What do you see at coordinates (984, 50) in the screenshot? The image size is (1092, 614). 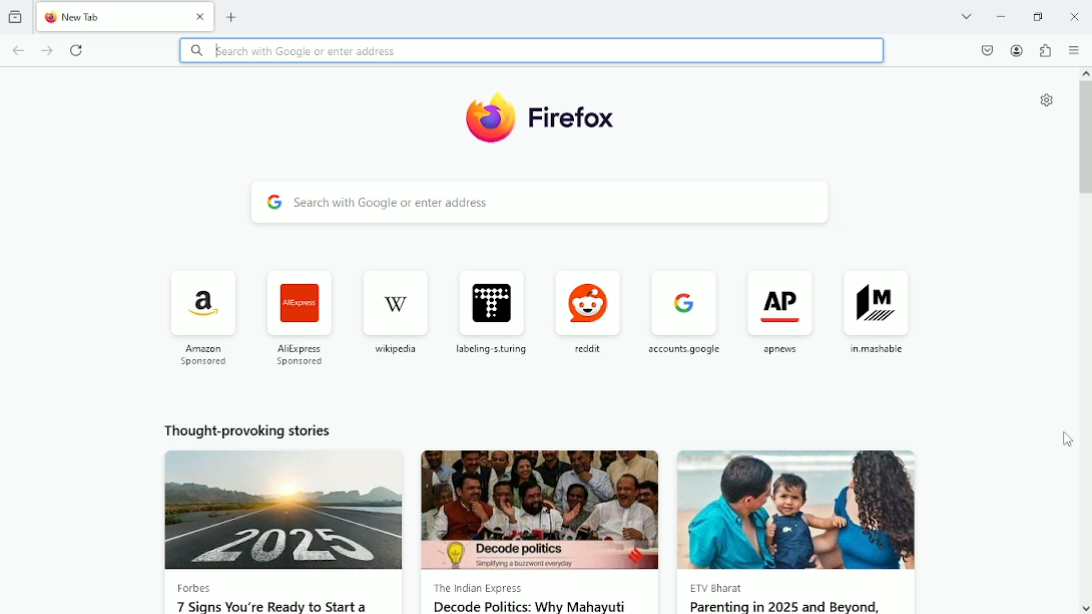 I see `save to pocket` at bounding box center [984, 50].